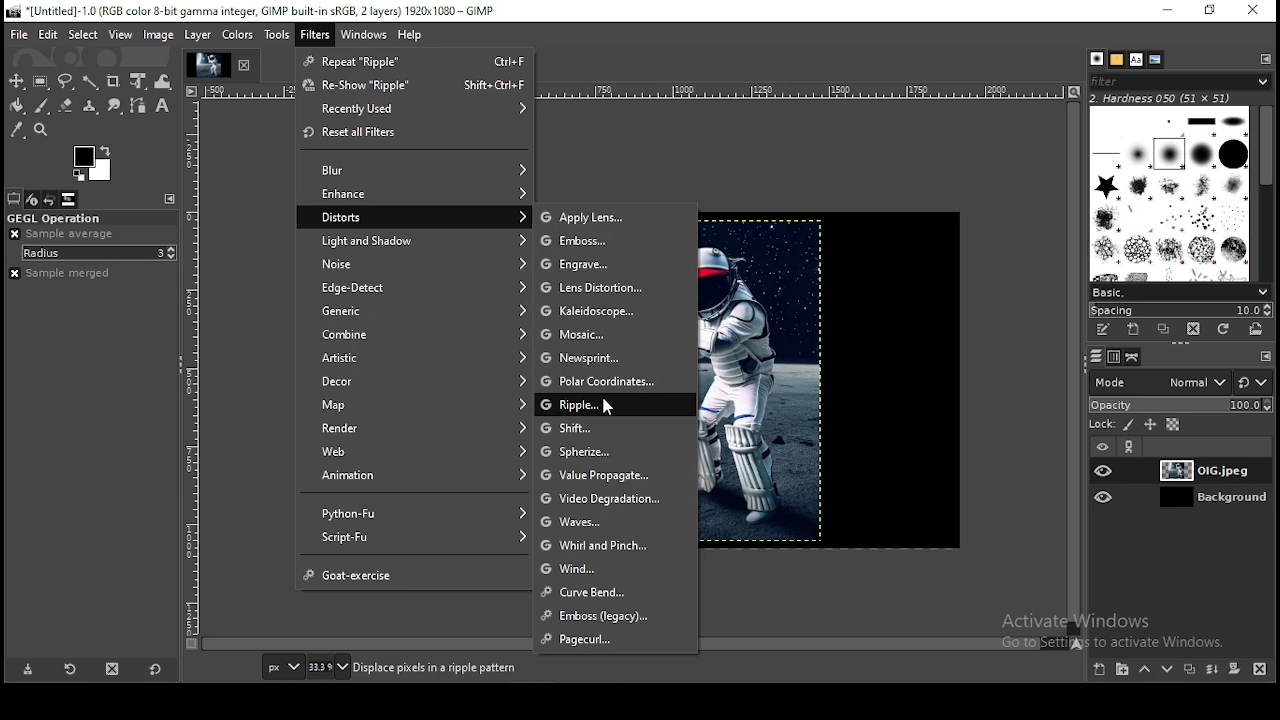  I want to click on open brush as image, so click(1257, 330).